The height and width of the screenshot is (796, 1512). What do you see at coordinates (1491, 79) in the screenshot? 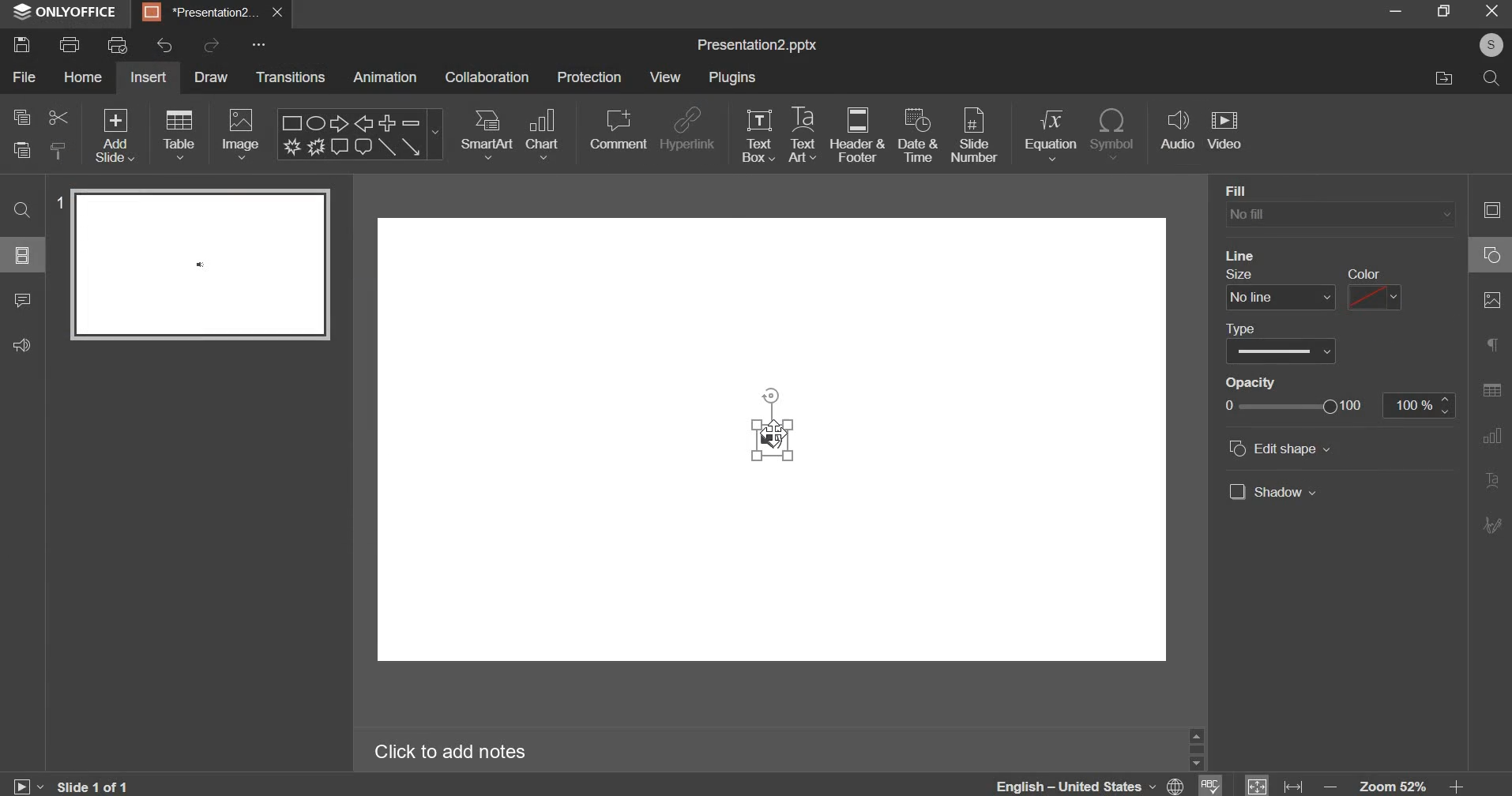
I see `search` at bounding box center [1491, 79].